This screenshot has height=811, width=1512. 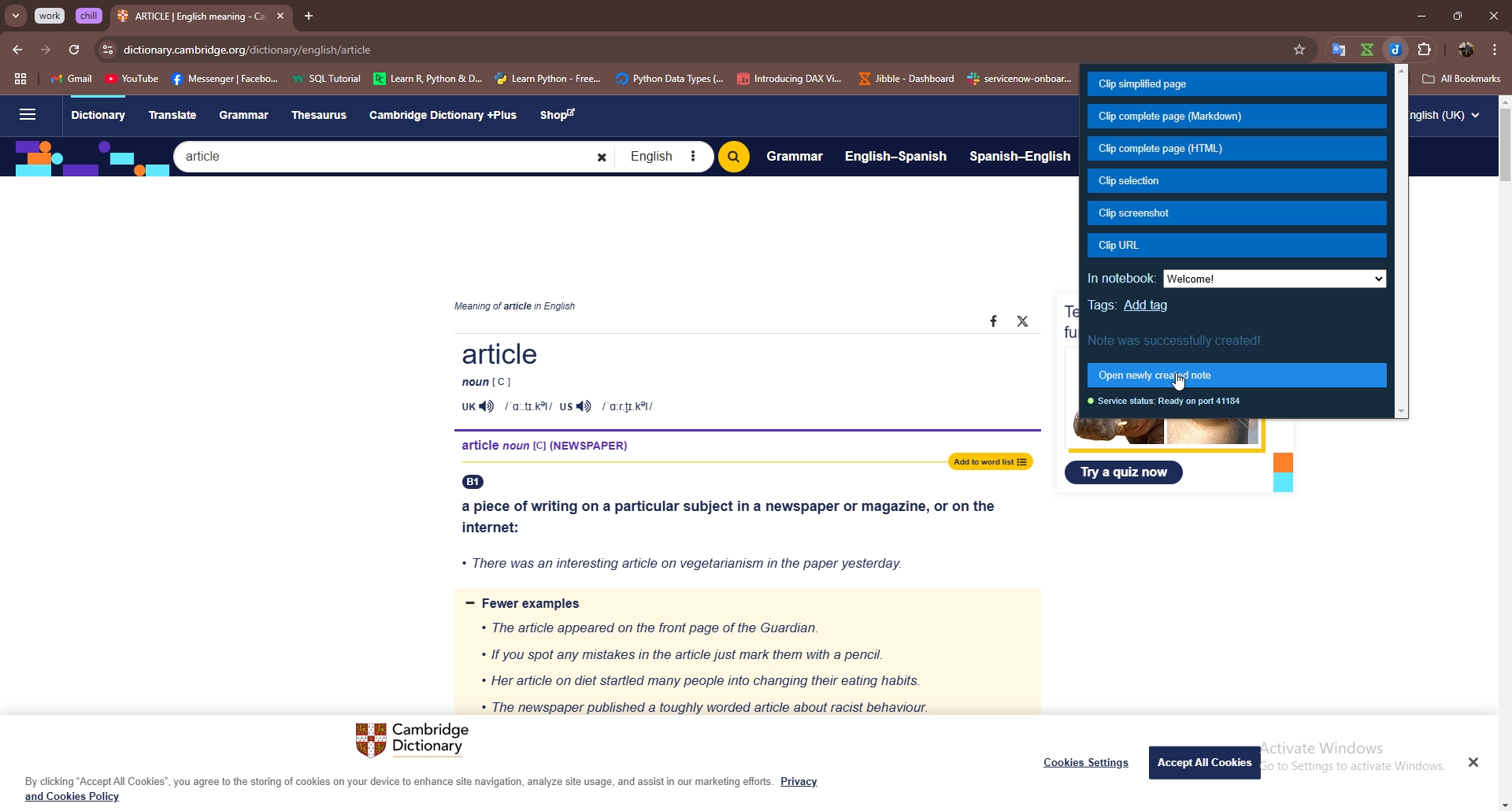 I want to click on tags, so click(x=1102, y=306).